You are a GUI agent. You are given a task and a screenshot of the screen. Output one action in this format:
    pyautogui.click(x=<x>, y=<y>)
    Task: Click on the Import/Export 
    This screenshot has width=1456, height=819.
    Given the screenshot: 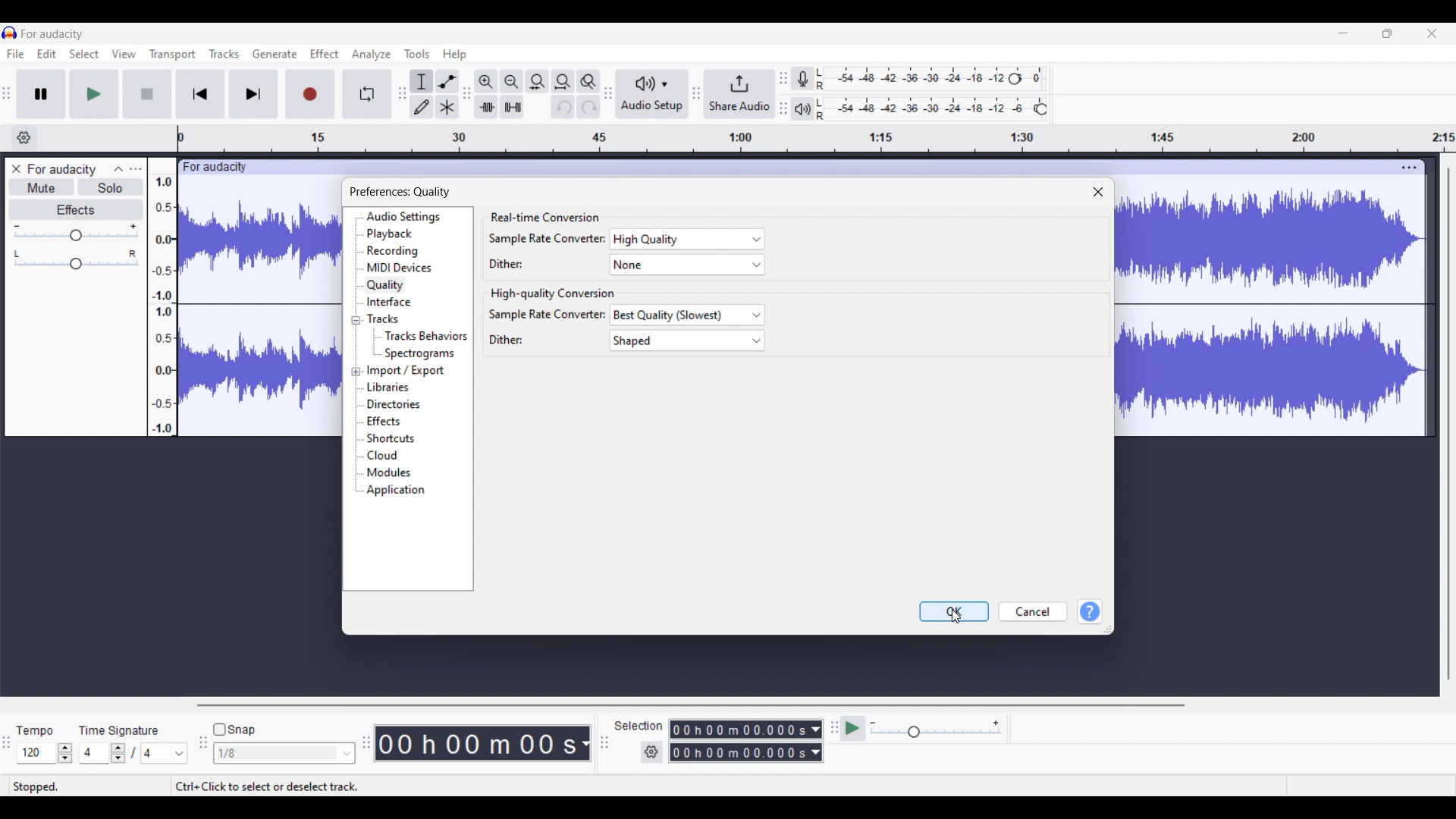 What is the action you would take?
    pyautogui.click(x=406, y=372)
    